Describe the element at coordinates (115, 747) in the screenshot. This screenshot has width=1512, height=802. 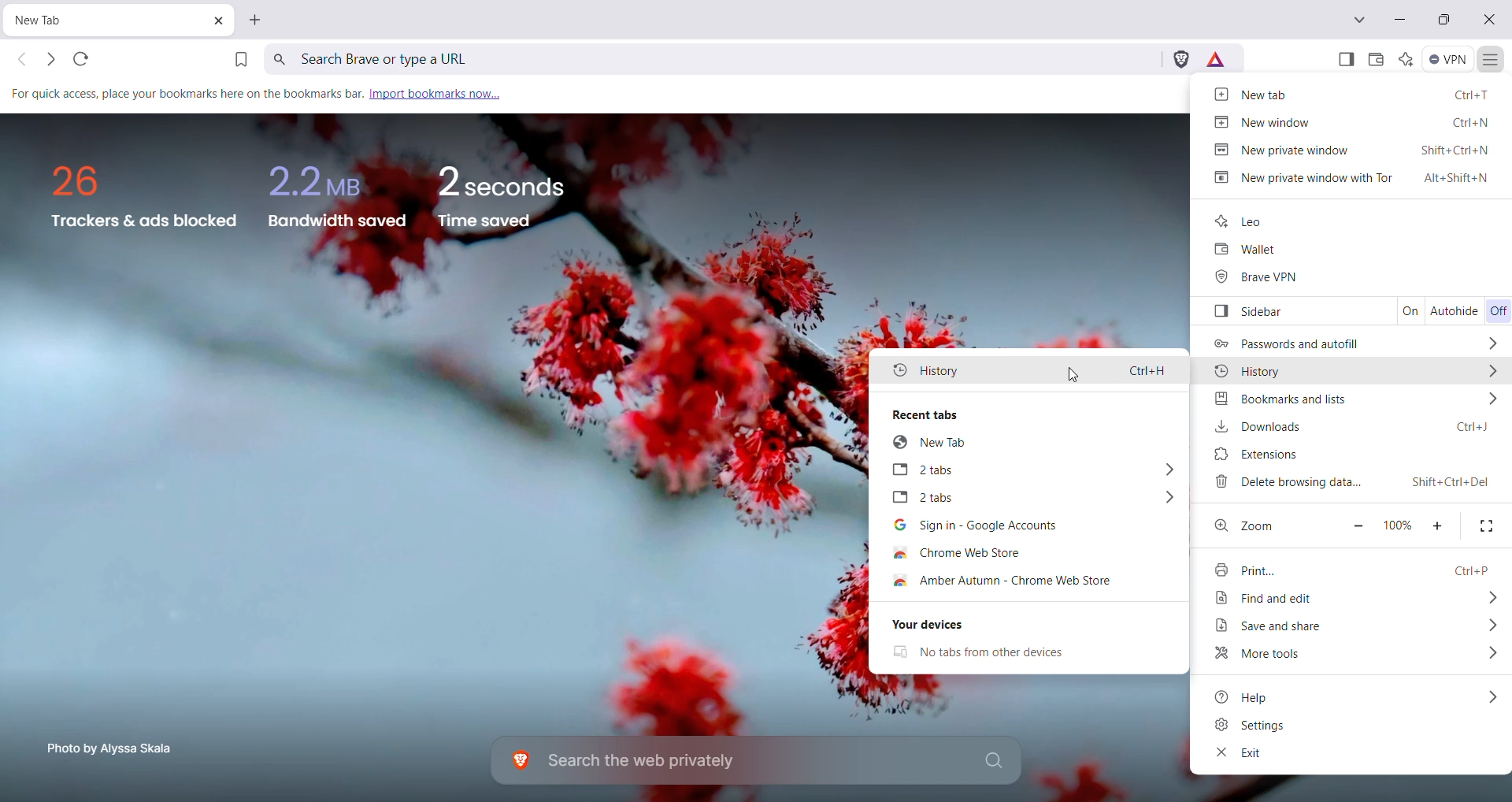
I see `Photo by Alyssa Skala` at that location.